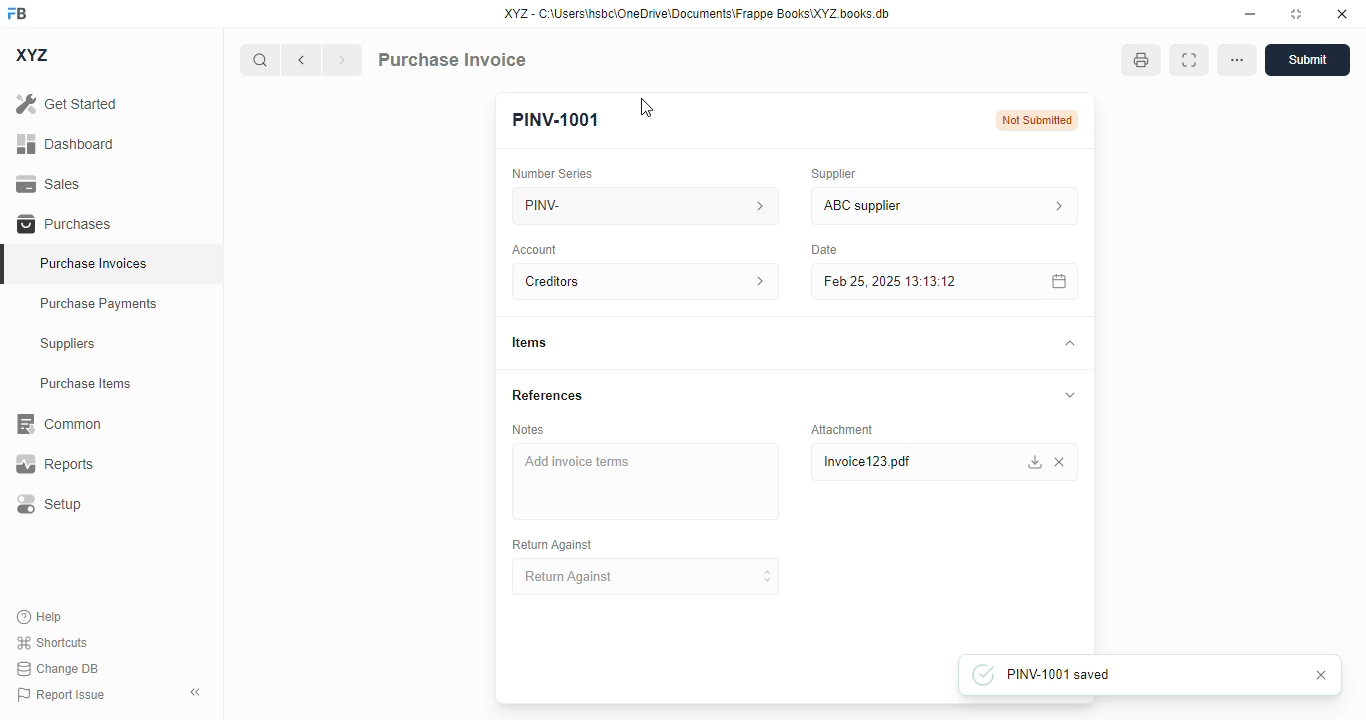  I want to click on change DB, so click(57, 669).